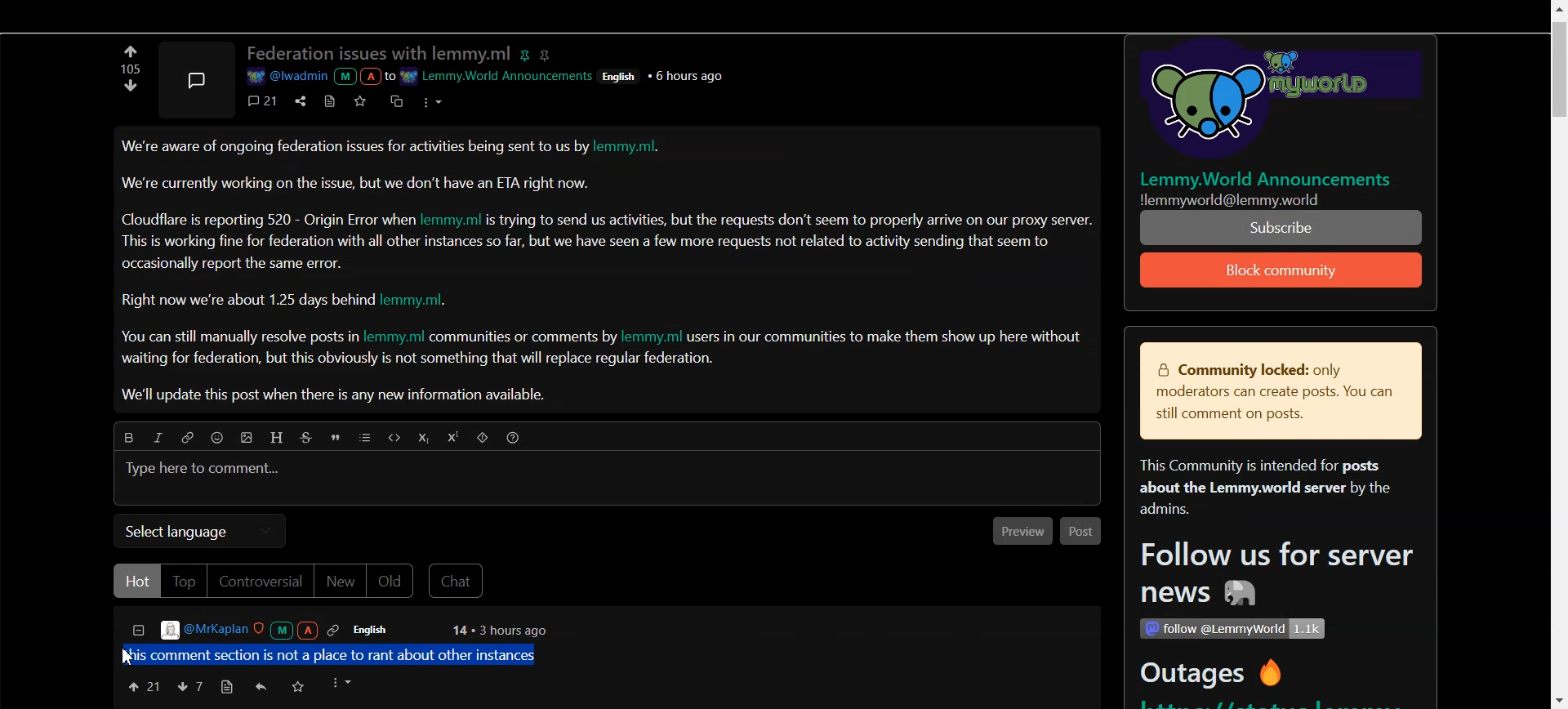 The height and width of the screenshot is (709, 1568). What do you see at coordinates (330, 100) in the screenshot?
I see `view source` at bounding box center [330, 100].